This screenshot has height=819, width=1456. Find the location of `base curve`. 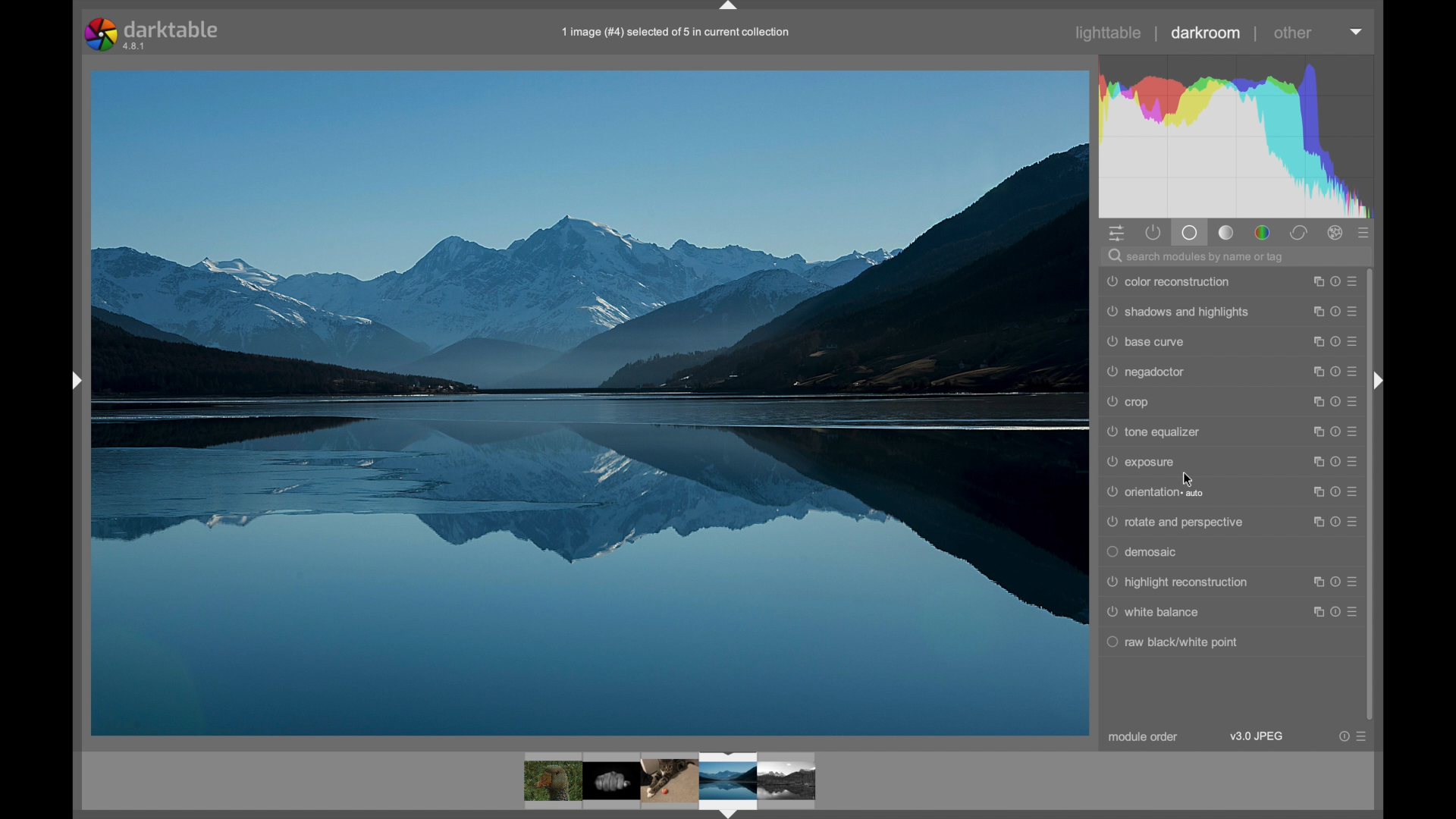

base curve is located at coordinates (1146, 341).